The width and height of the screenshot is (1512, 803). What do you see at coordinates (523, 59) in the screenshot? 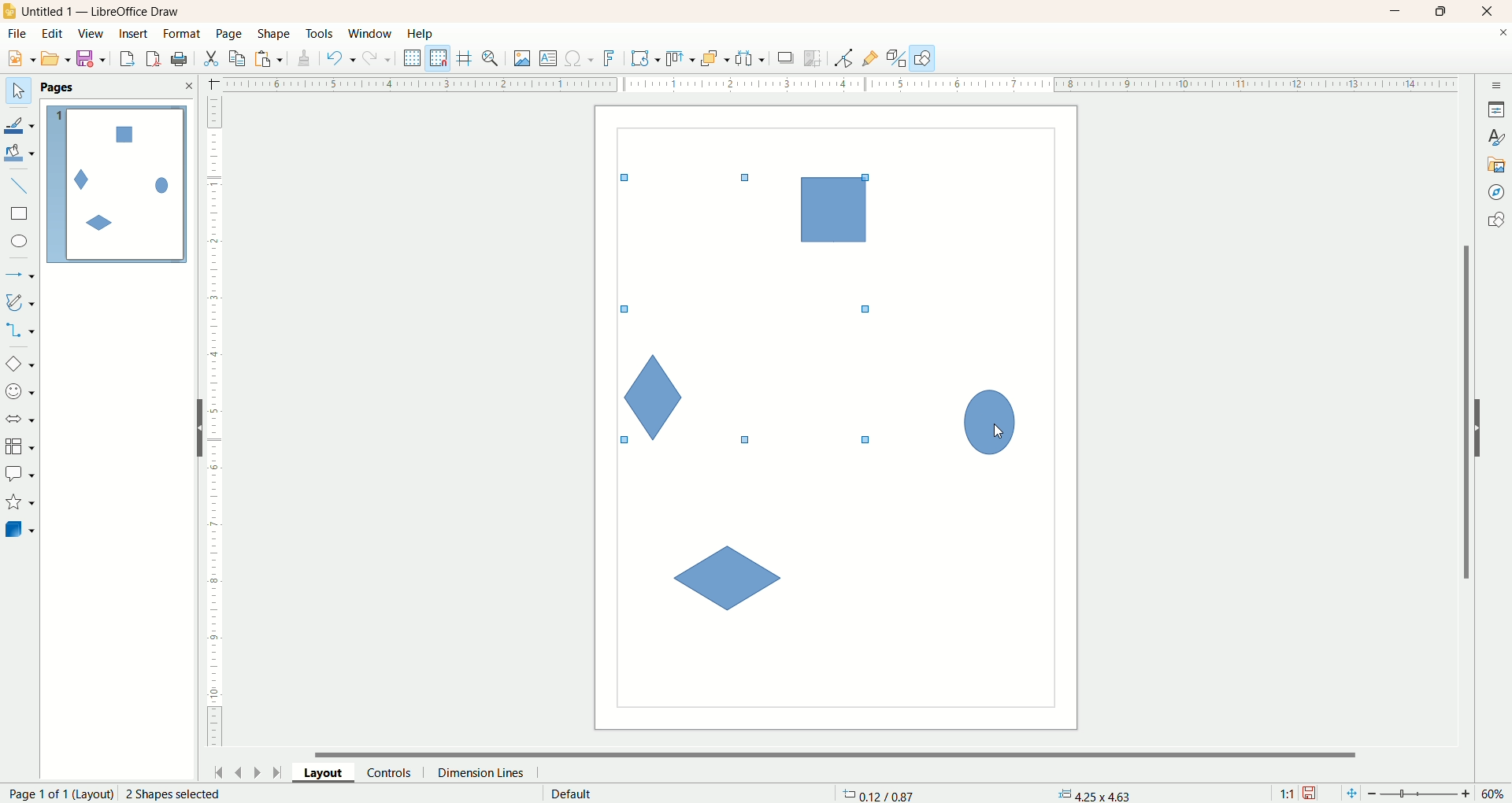
I see `insert image` at bounding box center [523, 59].